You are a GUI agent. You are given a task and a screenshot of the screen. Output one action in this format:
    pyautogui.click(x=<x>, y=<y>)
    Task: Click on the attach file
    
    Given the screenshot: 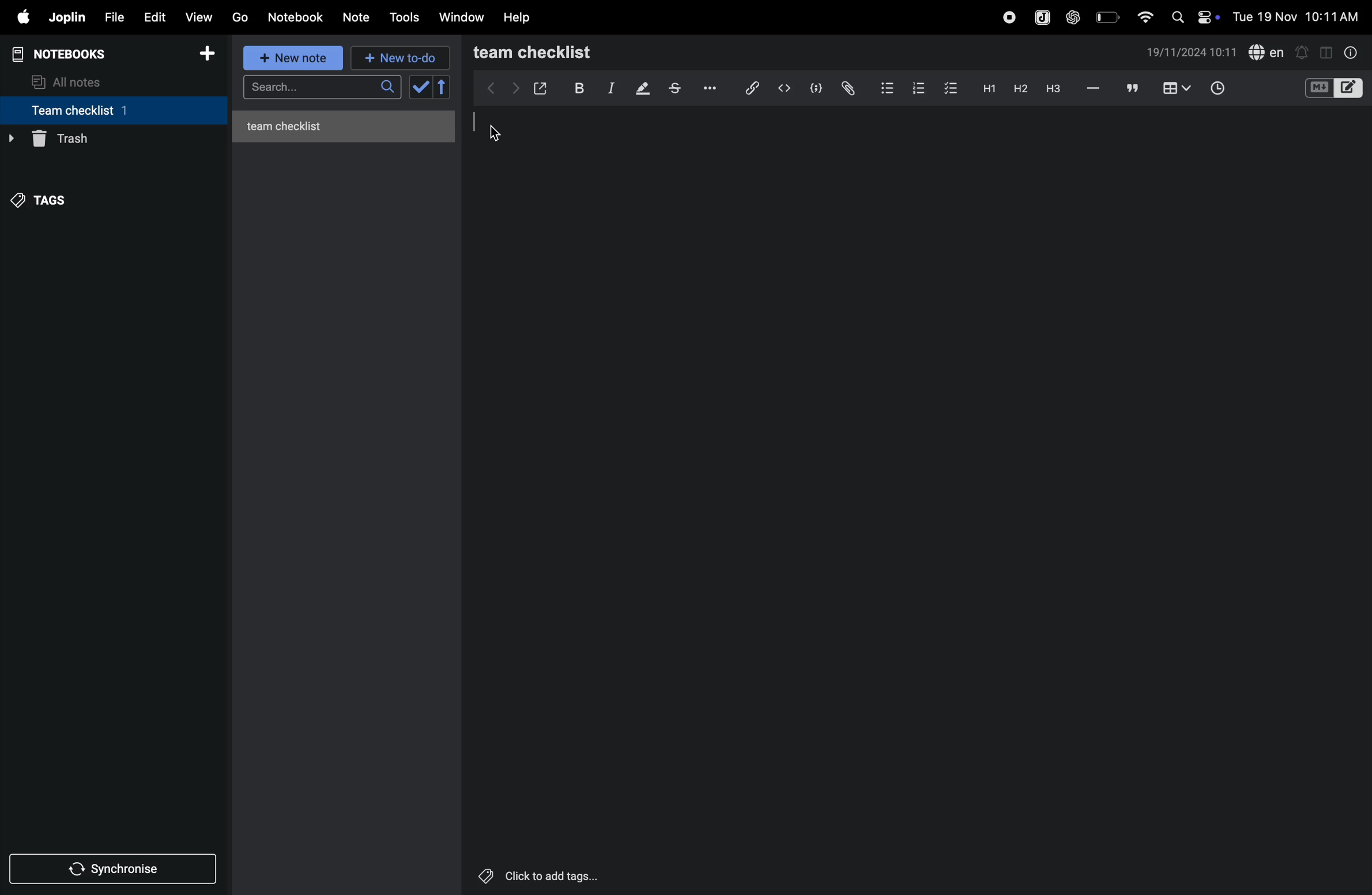 What is the action you would take?
    pyautogui.click(x=847, y=88)
    